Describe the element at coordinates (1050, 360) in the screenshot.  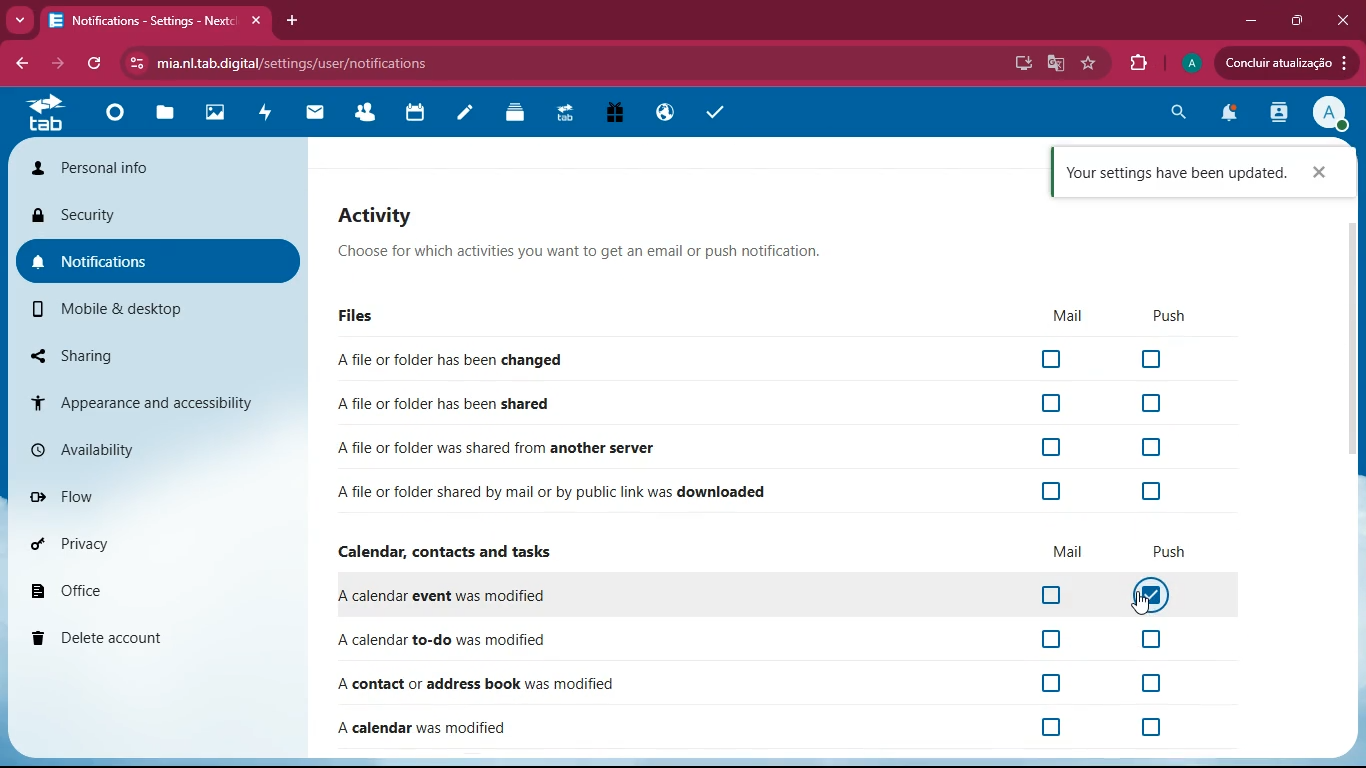
I see `checkbox` at that location.